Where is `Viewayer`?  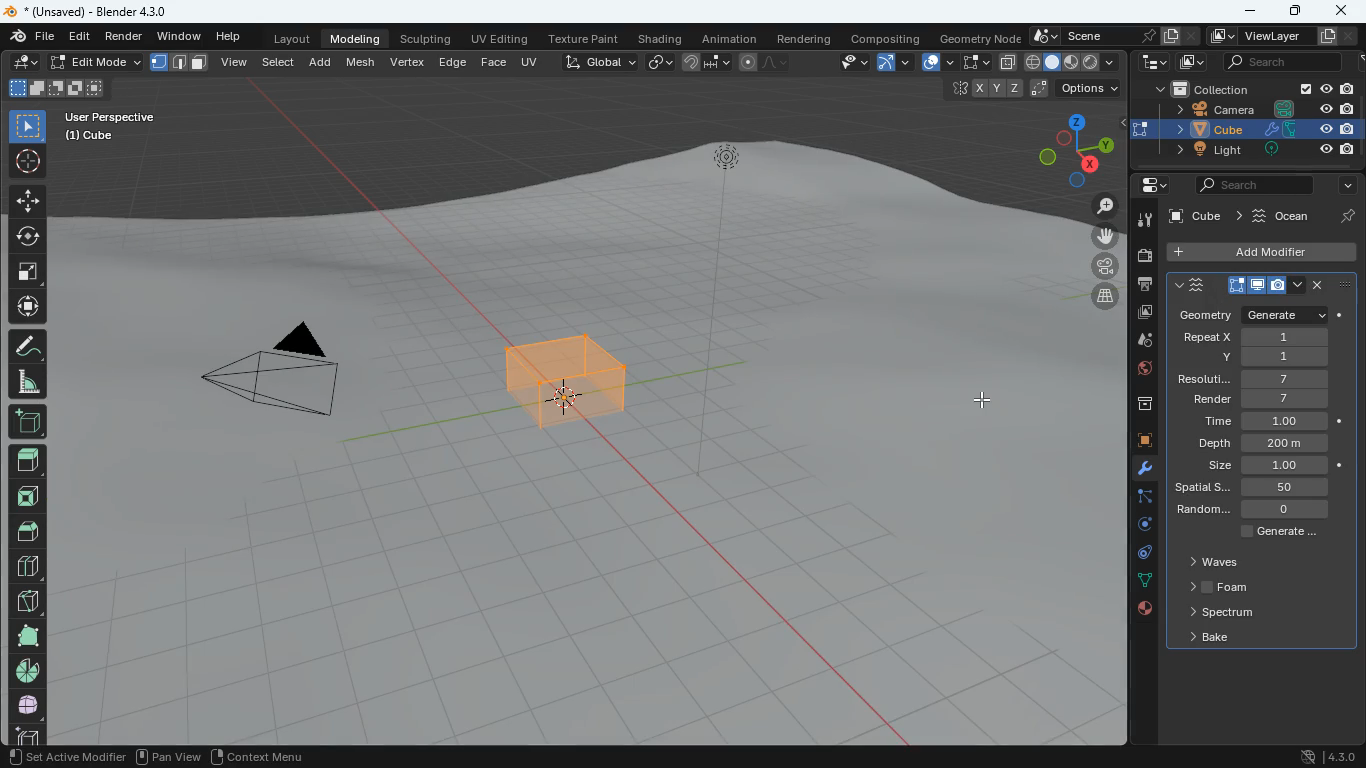 Viewayer is located at coordinates (1271, 37).